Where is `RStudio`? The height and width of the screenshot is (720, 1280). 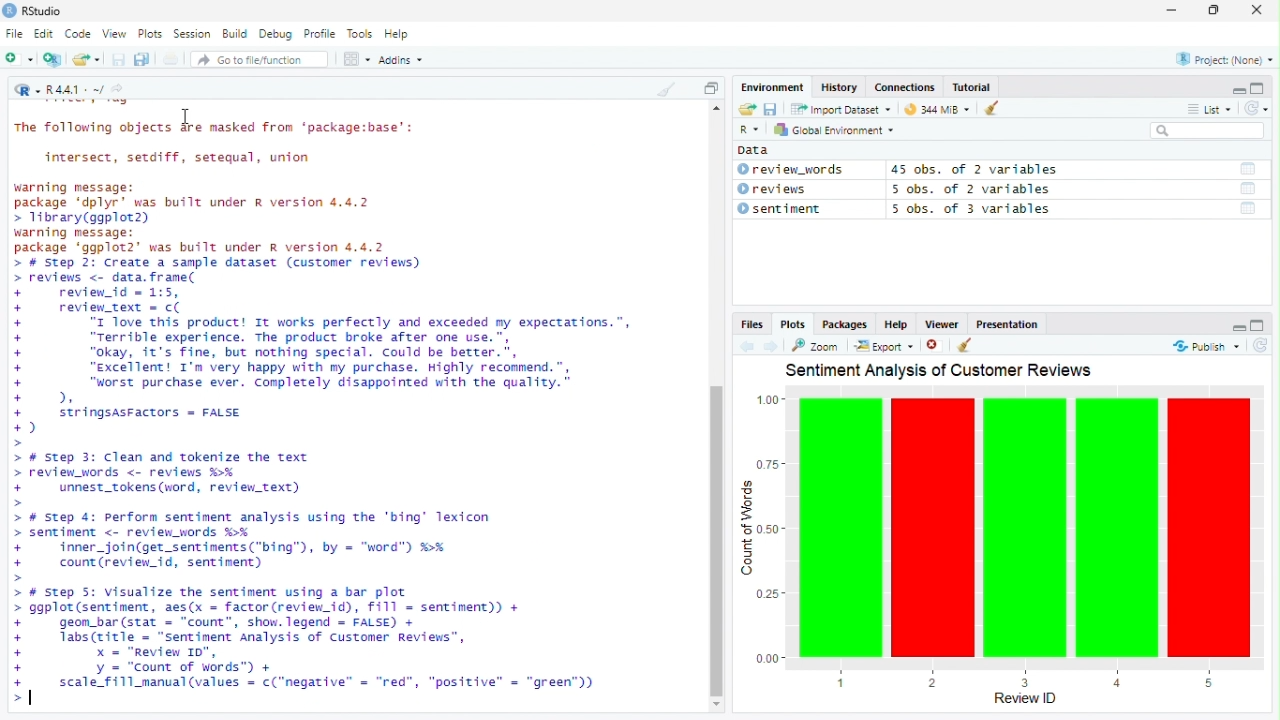 RStudio is located at coordinates (33, 11).